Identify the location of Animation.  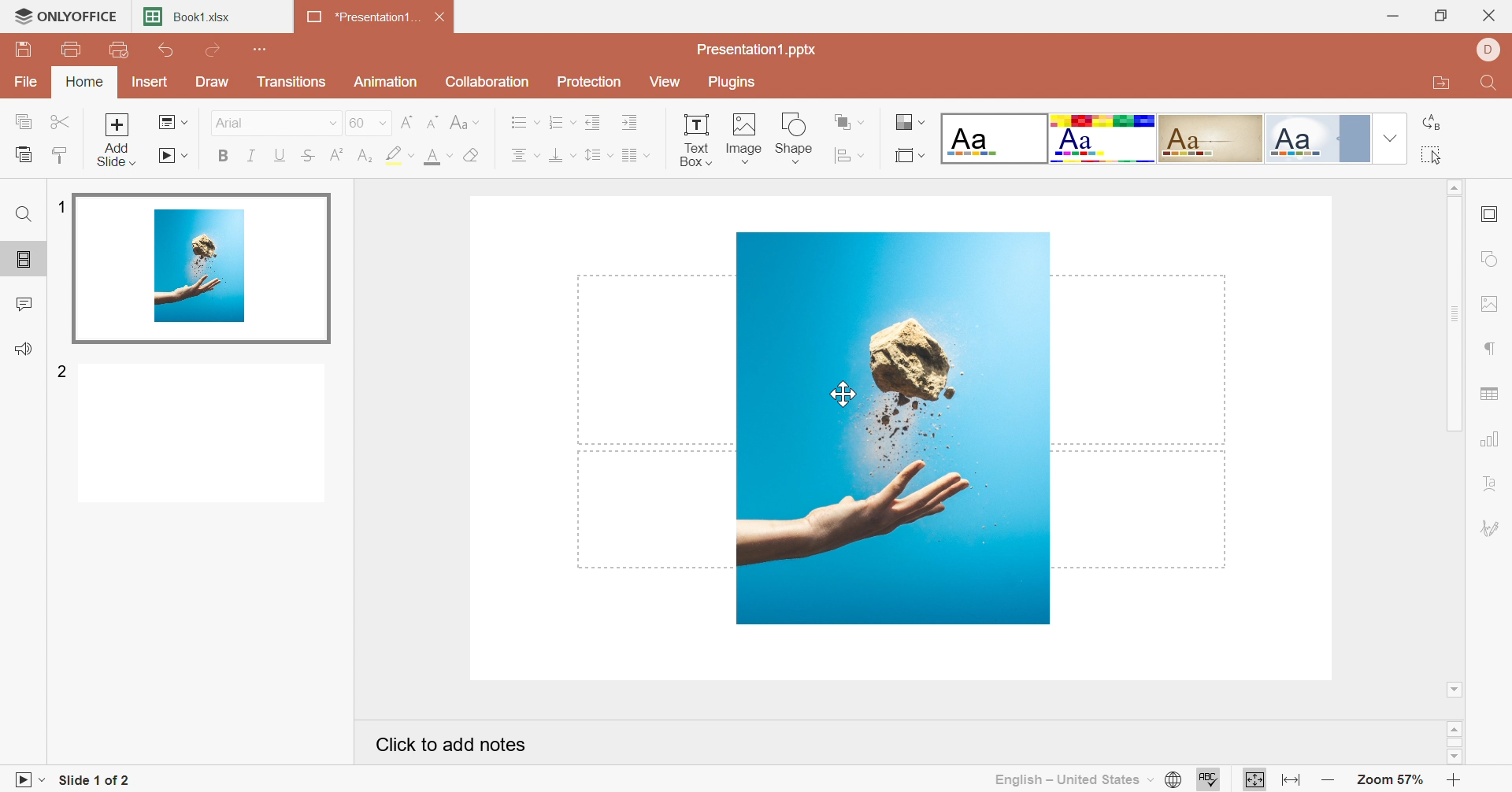
(386, 82).